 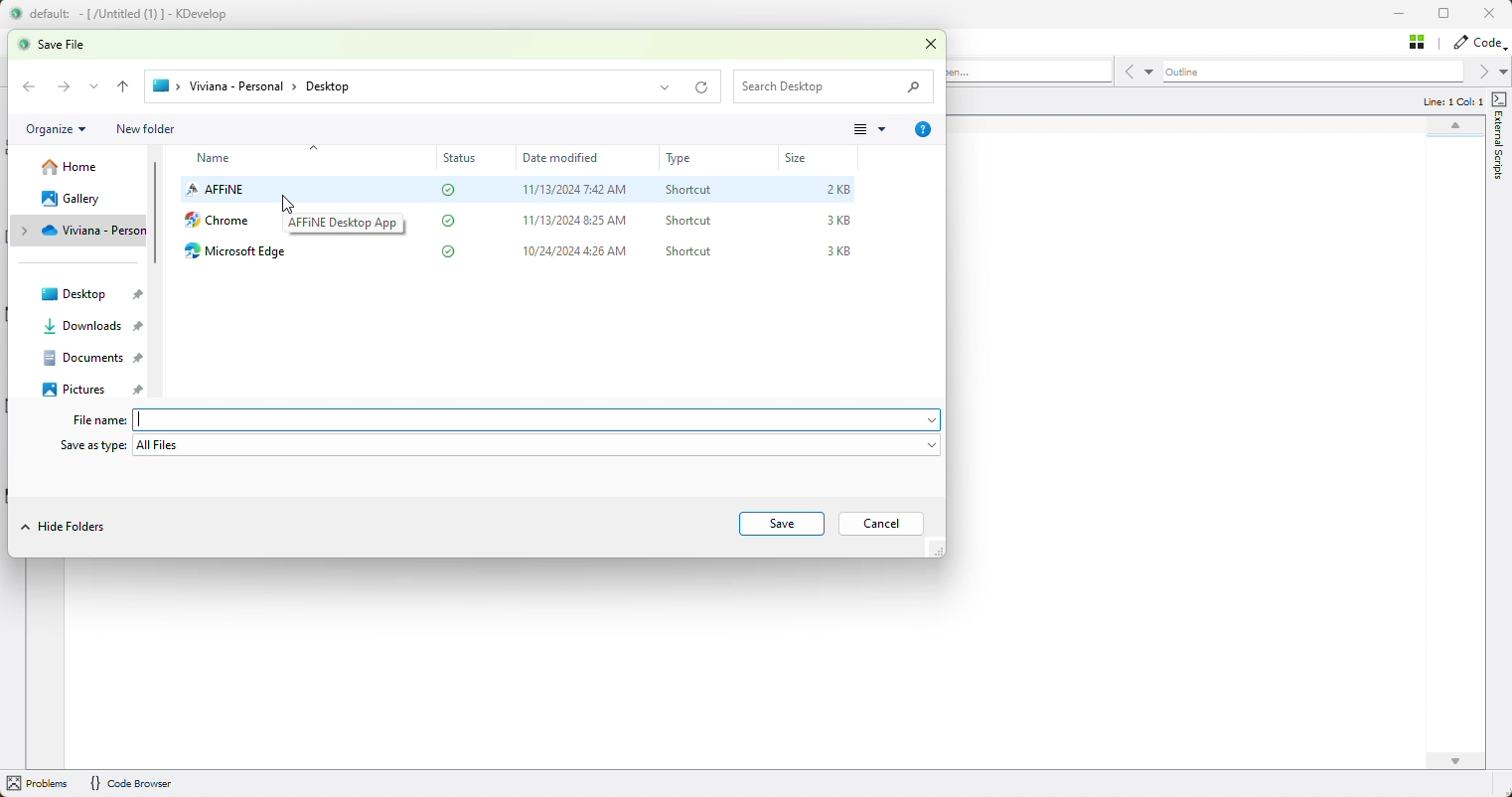 What do you see at coordinates (540, 446) in the screenshot?
I see `save as type input field` at bounding box center [540, 446].